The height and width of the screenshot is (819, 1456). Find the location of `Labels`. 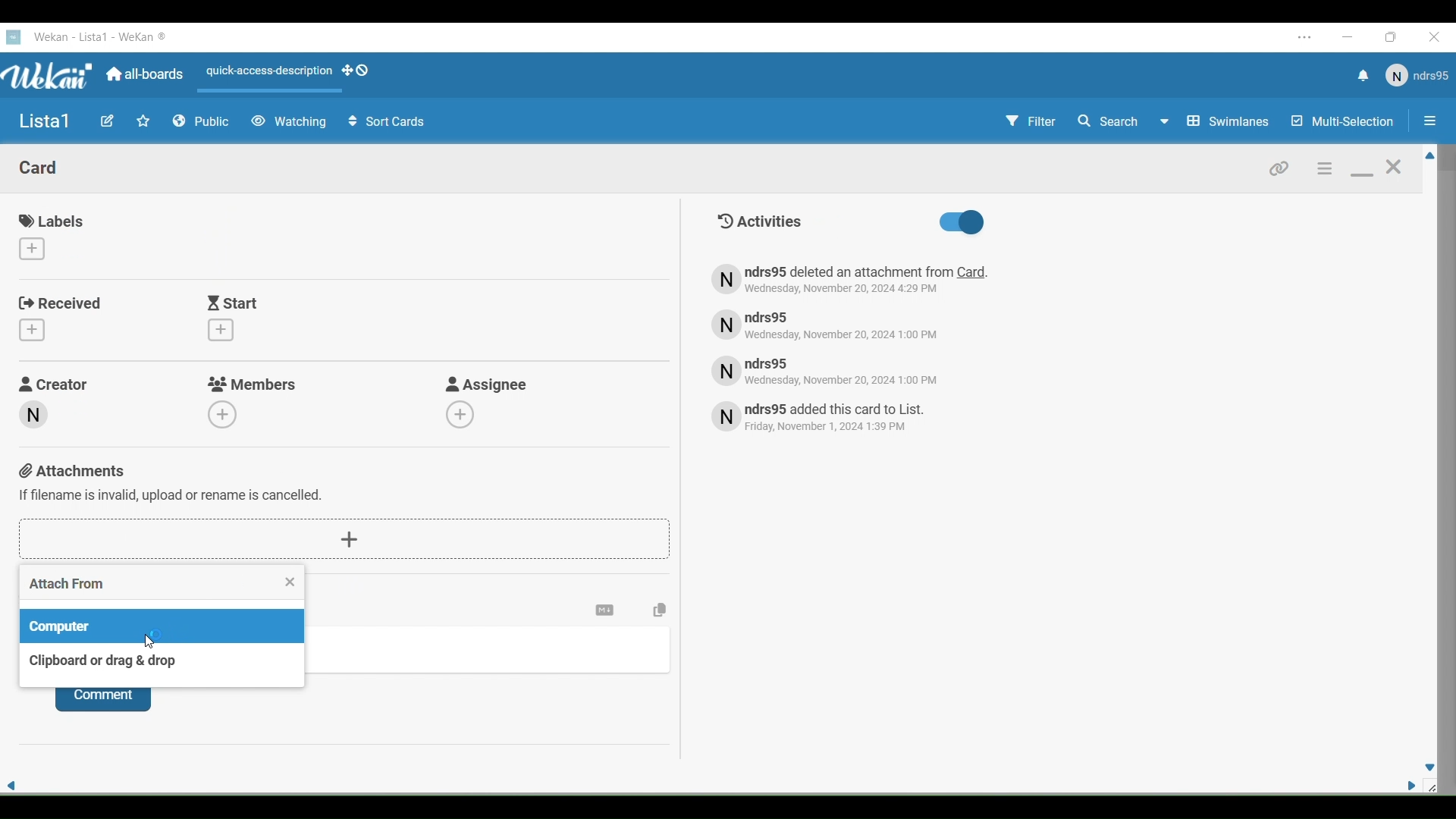

Labels is located at coordinates (55, 221).